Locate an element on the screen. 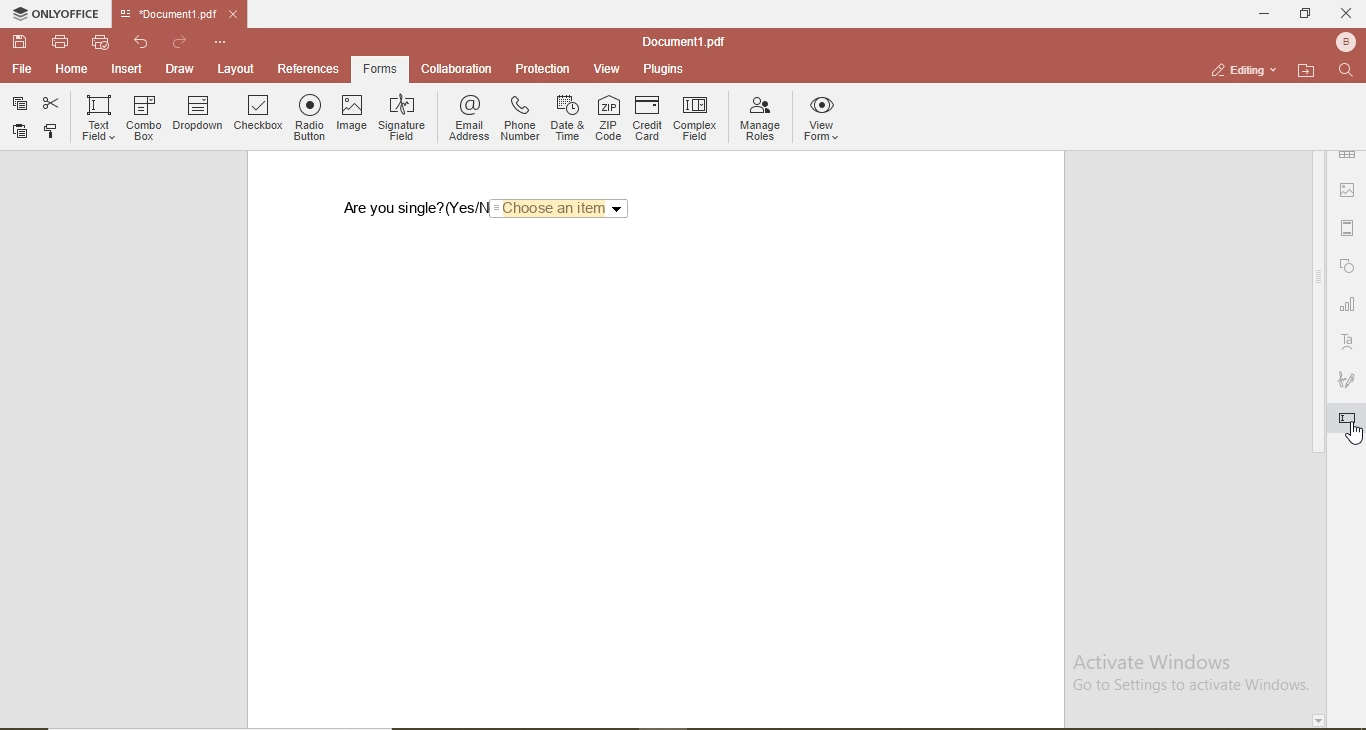 This screenshot has height=730, width=1366. are you single? (Yes/No) is located at coordinates (408, 208).